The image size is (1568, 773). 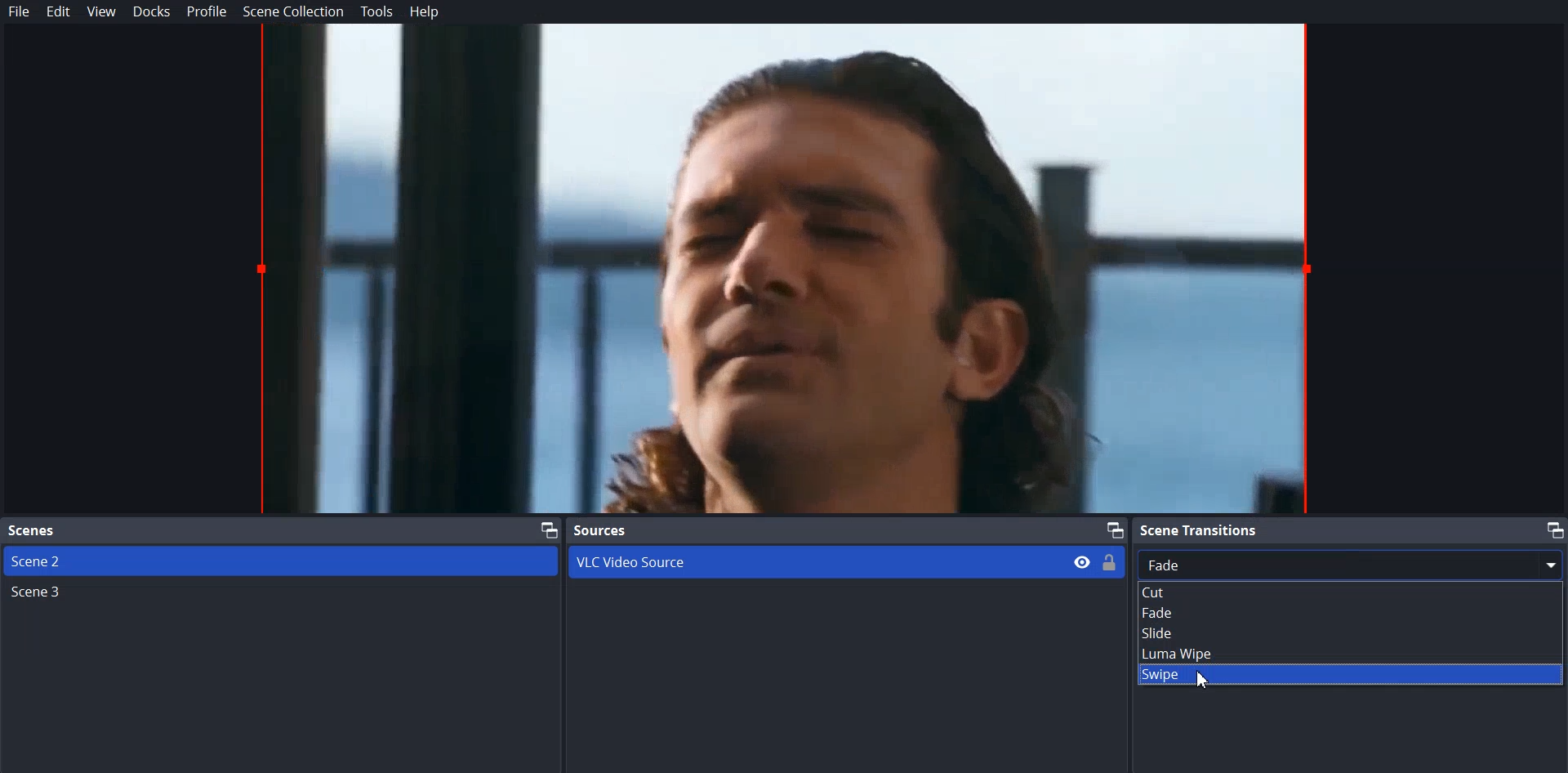 What do you see at coordinates (282, 561) in the screenshot?
I see `Scene 2` at bounding box center [282, 561].